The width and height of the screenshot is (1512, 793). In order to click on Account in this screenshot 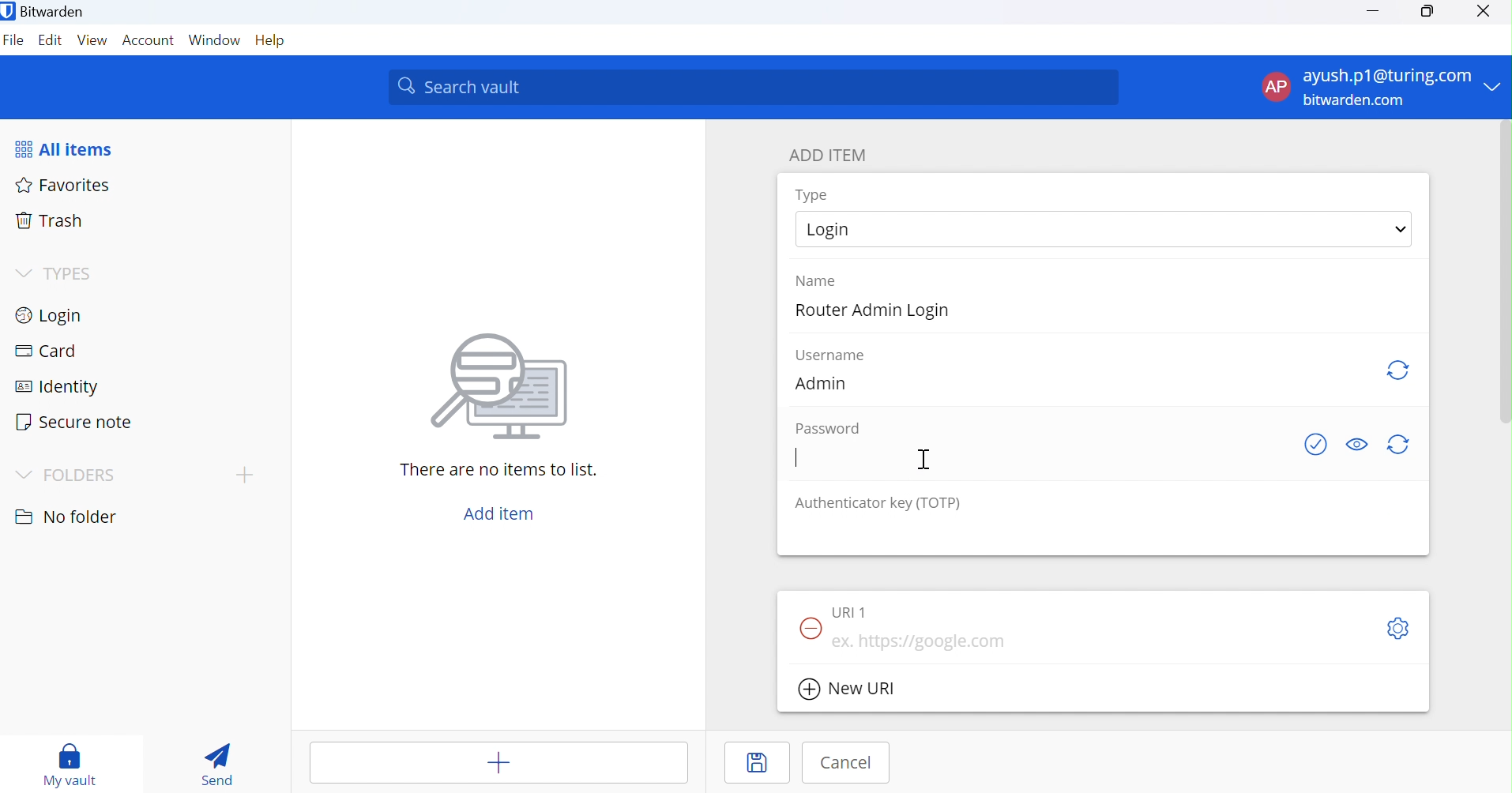, I will do `click(149, 41)`.